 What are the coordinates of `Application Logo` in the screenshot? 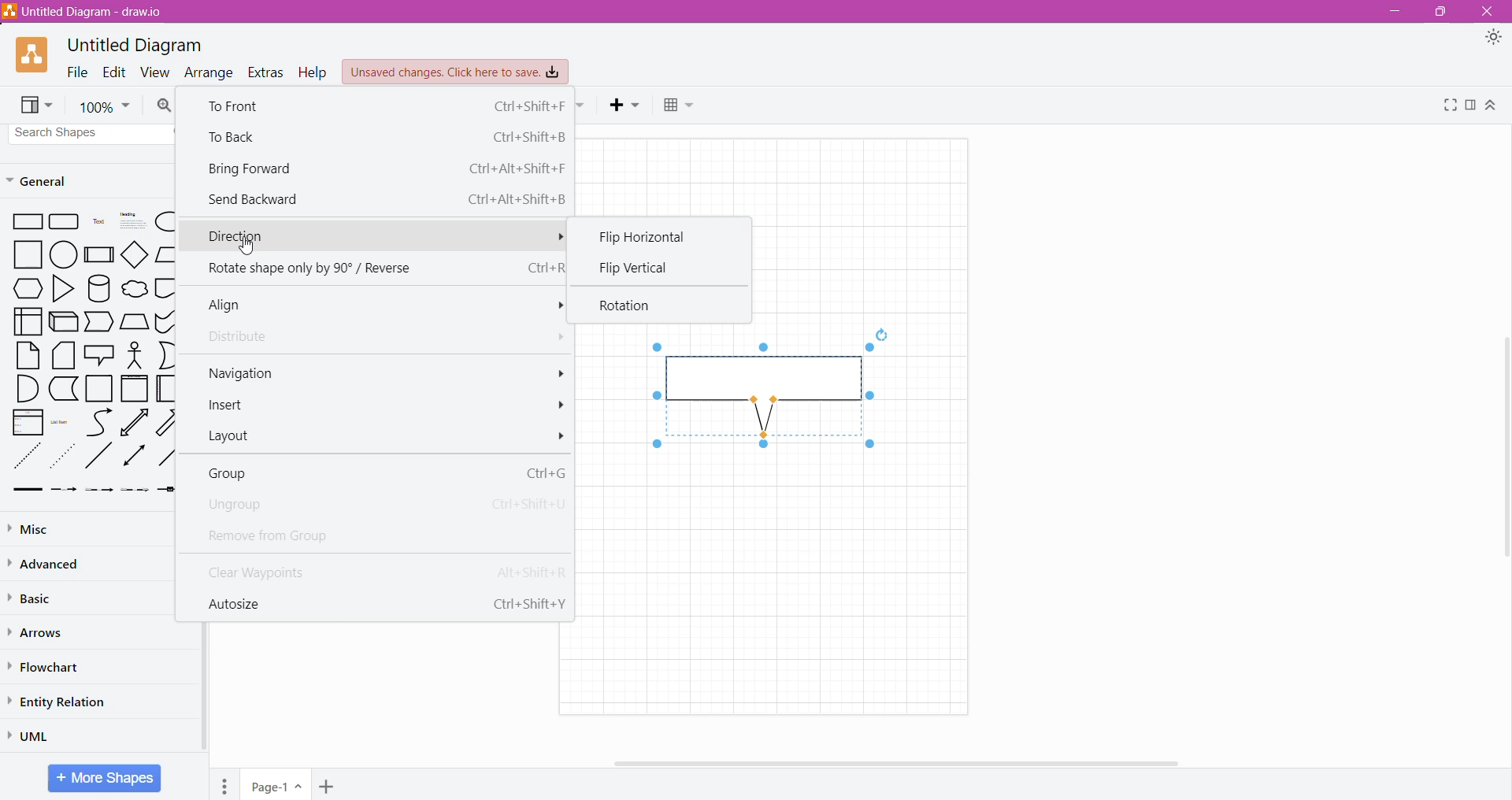 It's located at (33, 56).